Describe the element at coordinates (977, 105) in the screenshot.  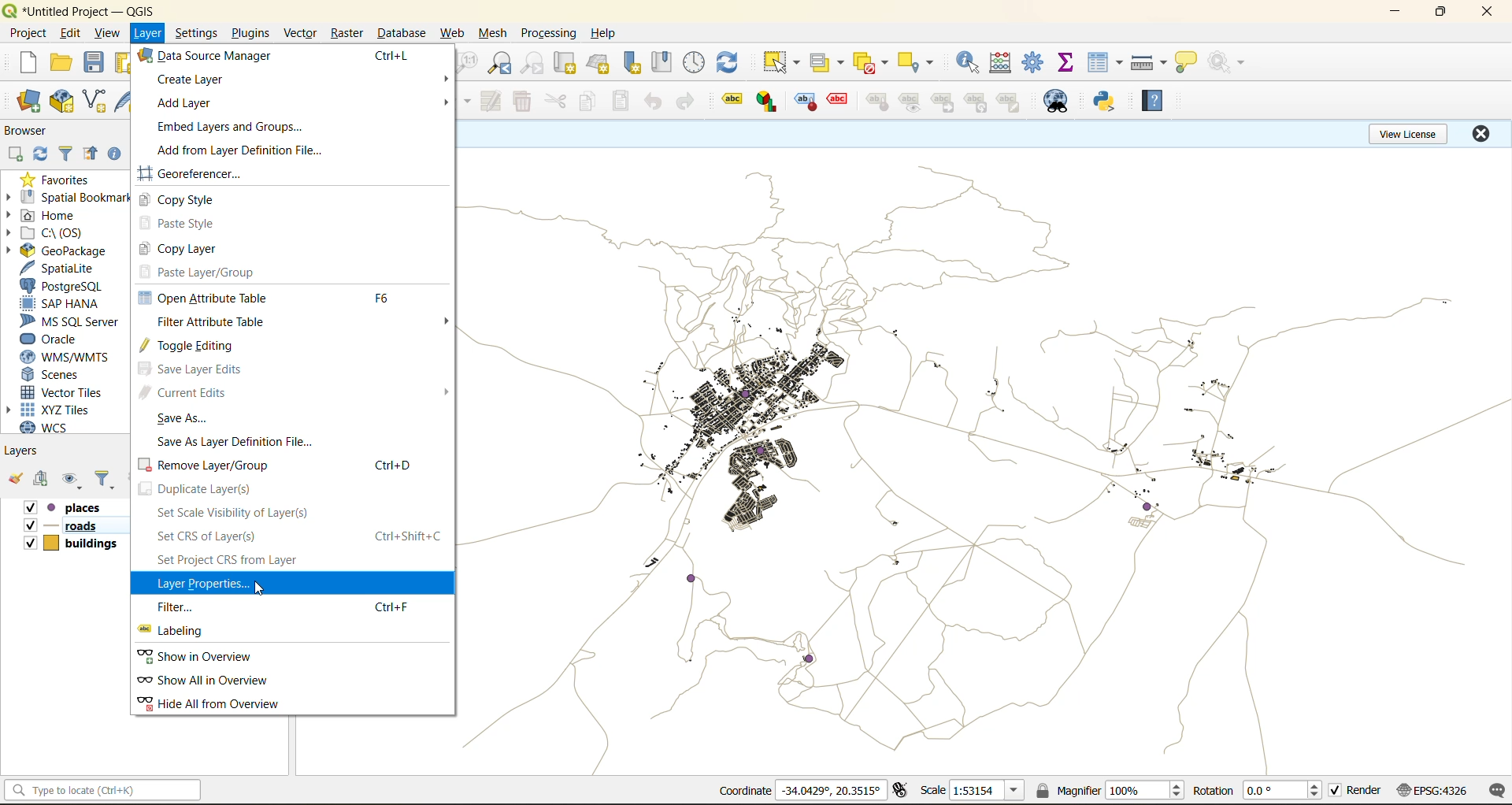
I see `label tool 8` at that location.